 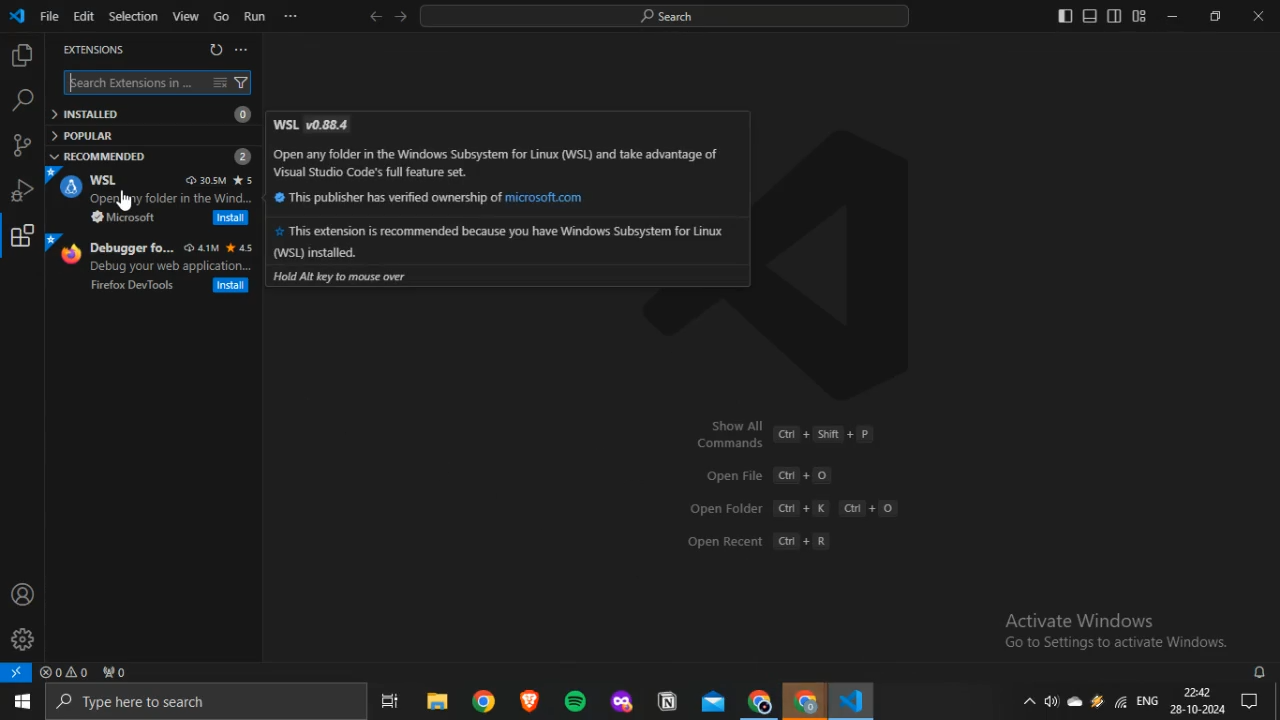 I want to click on notifications, so click(x=1261, y=672).